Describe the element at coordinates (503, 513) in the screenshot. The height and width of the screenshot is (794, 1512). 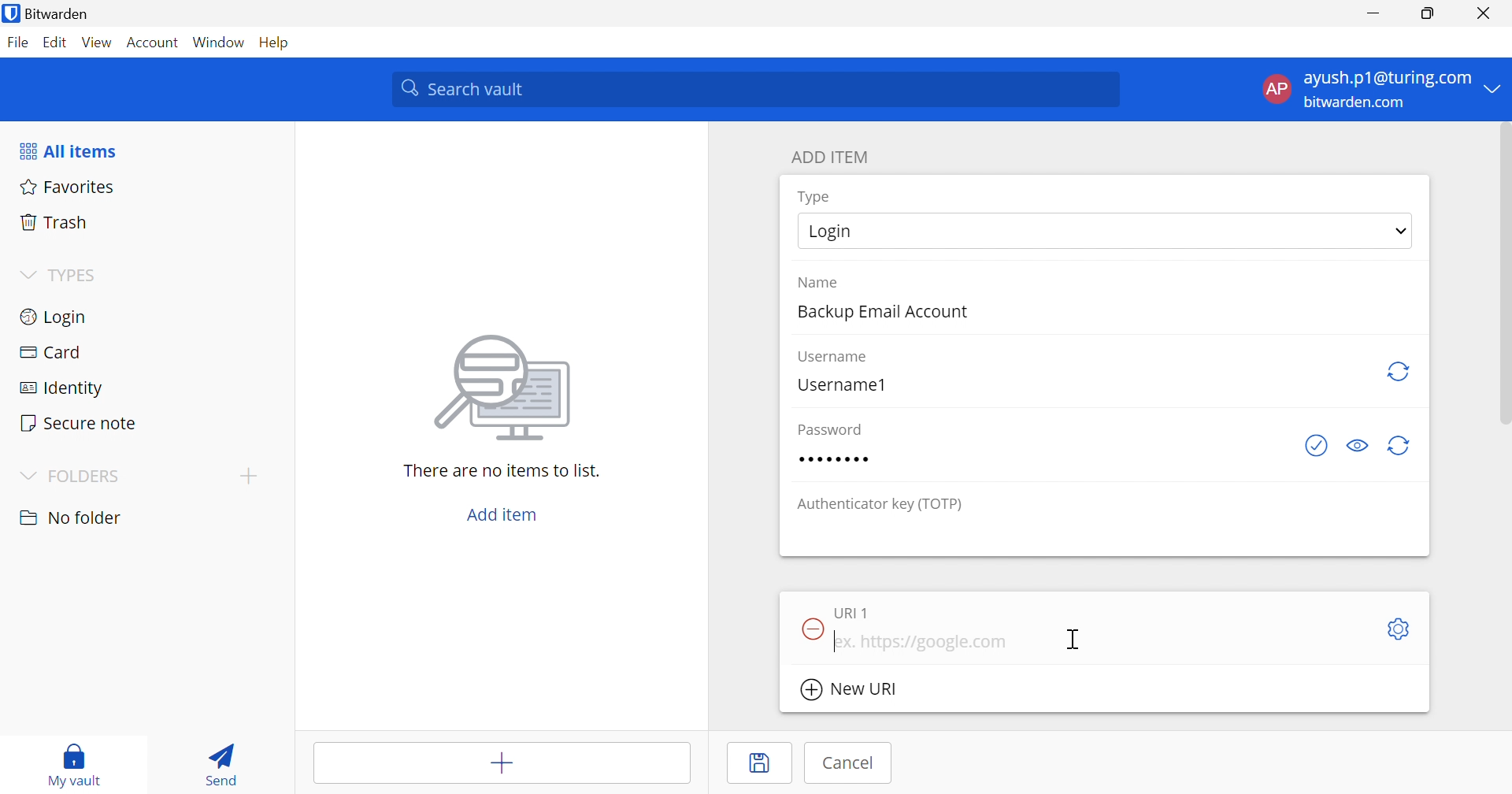
I see `Add item` at that location.